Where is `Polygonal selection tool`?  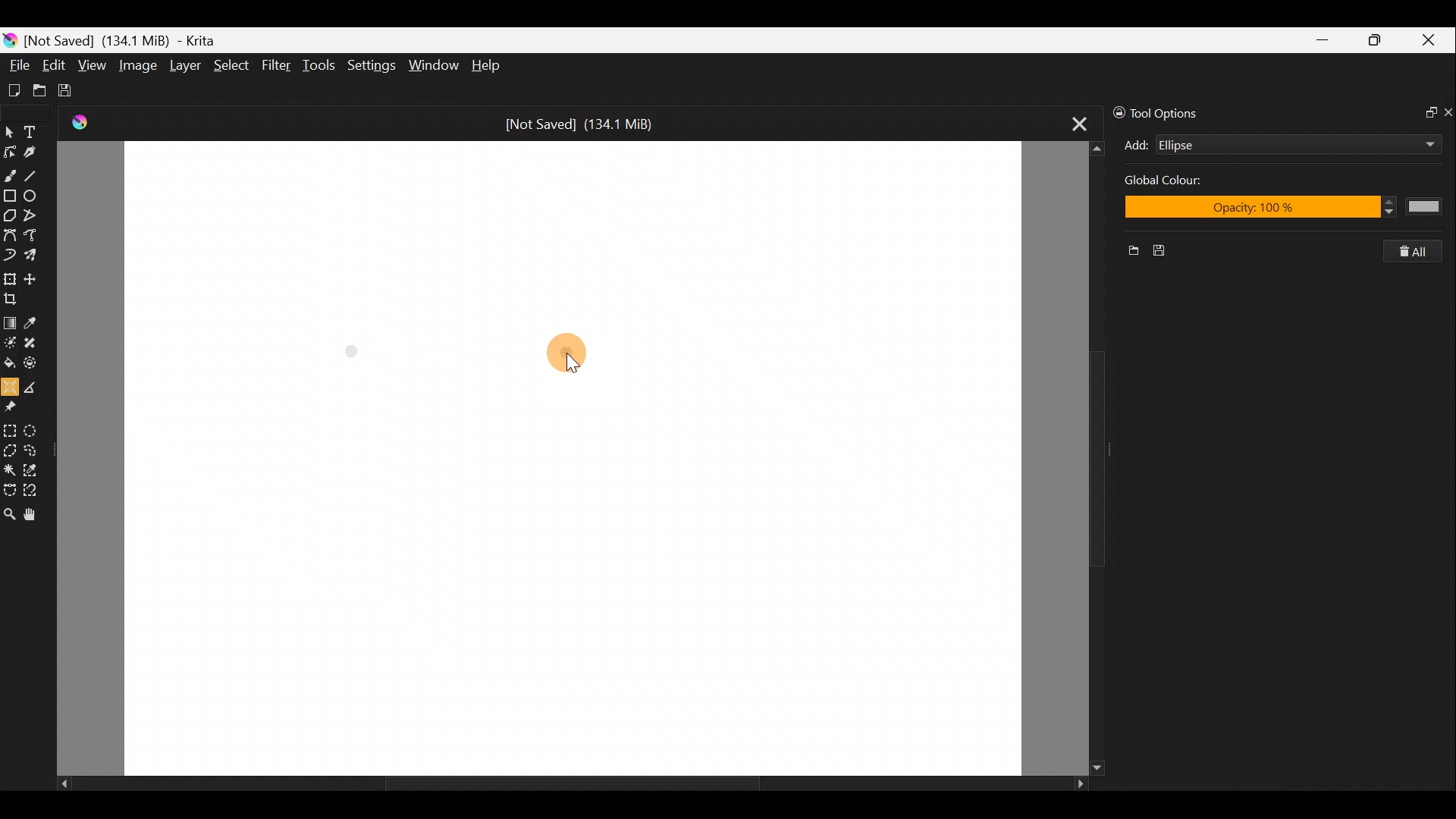 Polygonal selection tool is located at coordinates (10, 448).